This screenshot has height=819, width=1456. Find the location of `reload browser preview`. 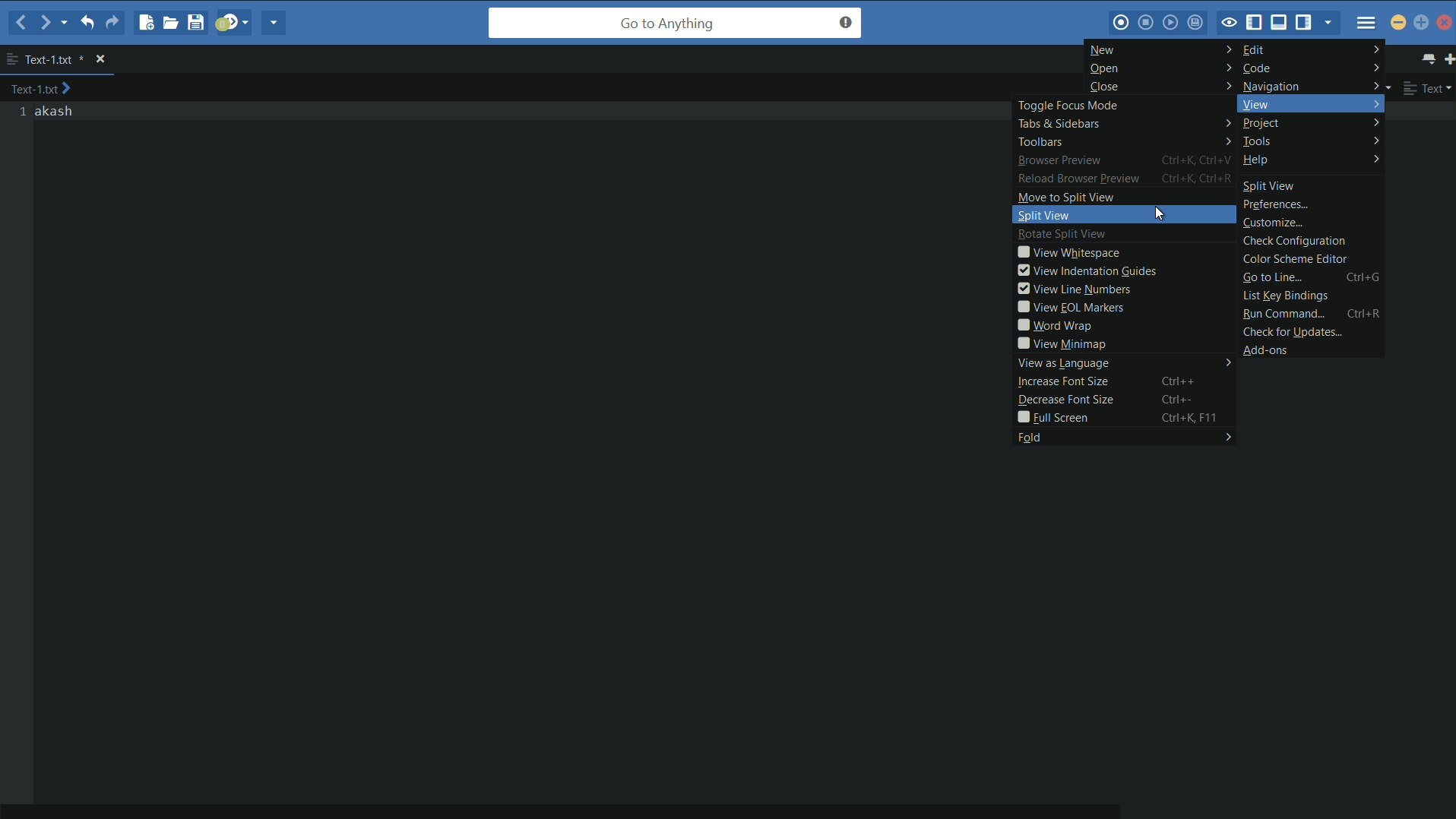

reload browser preview is located at coordinates (1124, 179).